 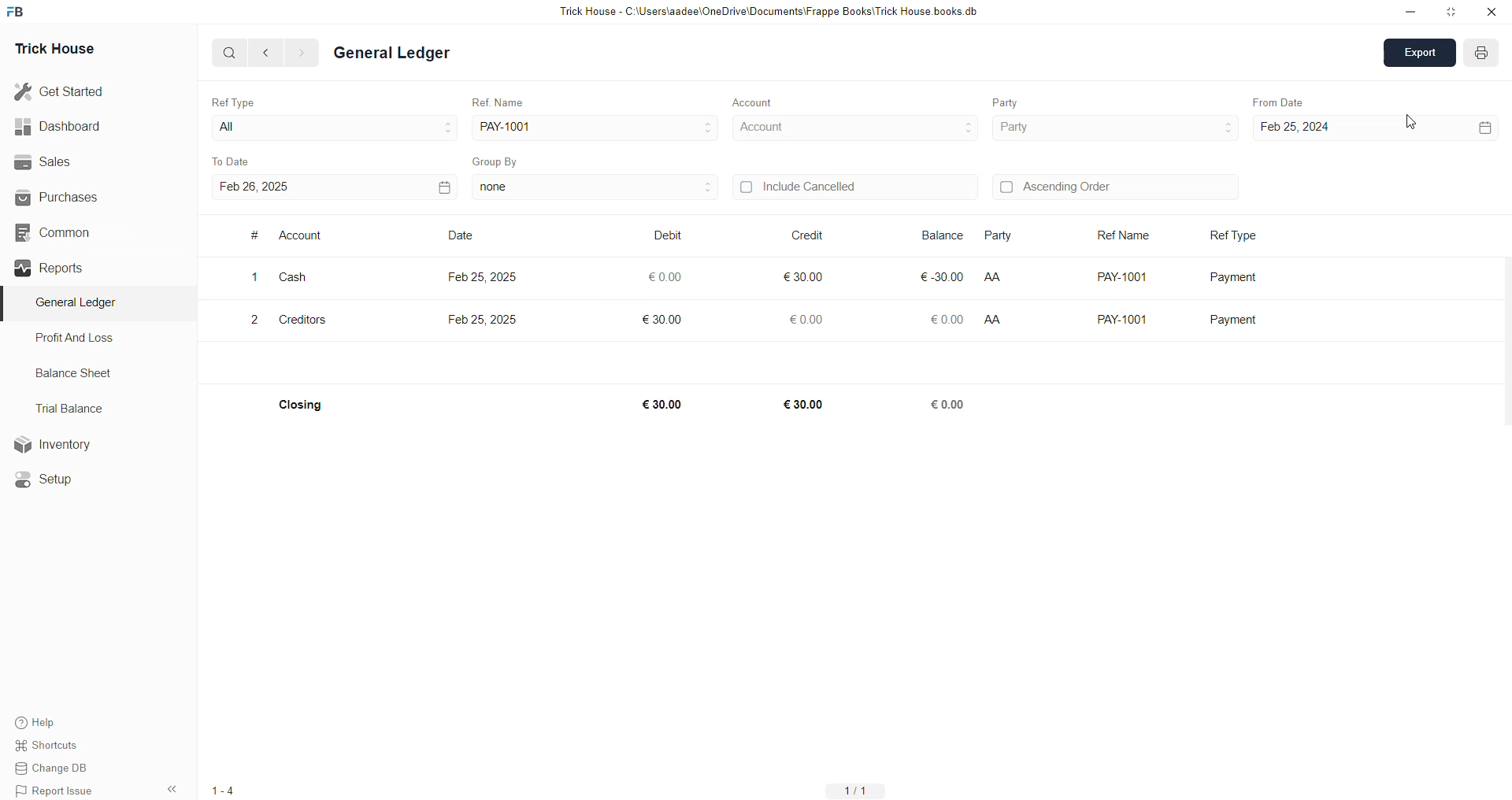 I want to click on All, so click(x=233, y=126).